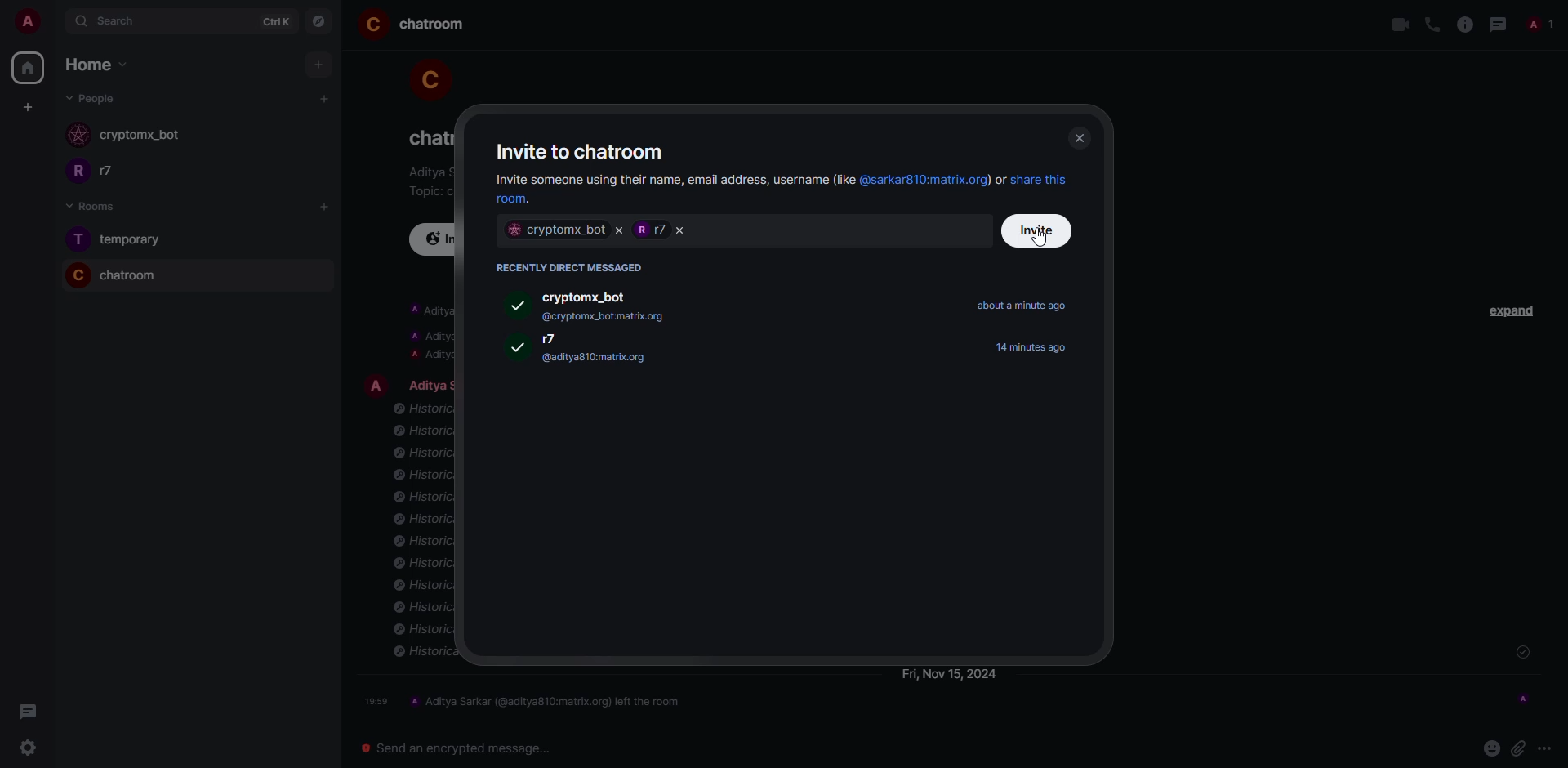  Describe the element at coordinates (372, 25) in the screenshot. I see `profile` at that location.